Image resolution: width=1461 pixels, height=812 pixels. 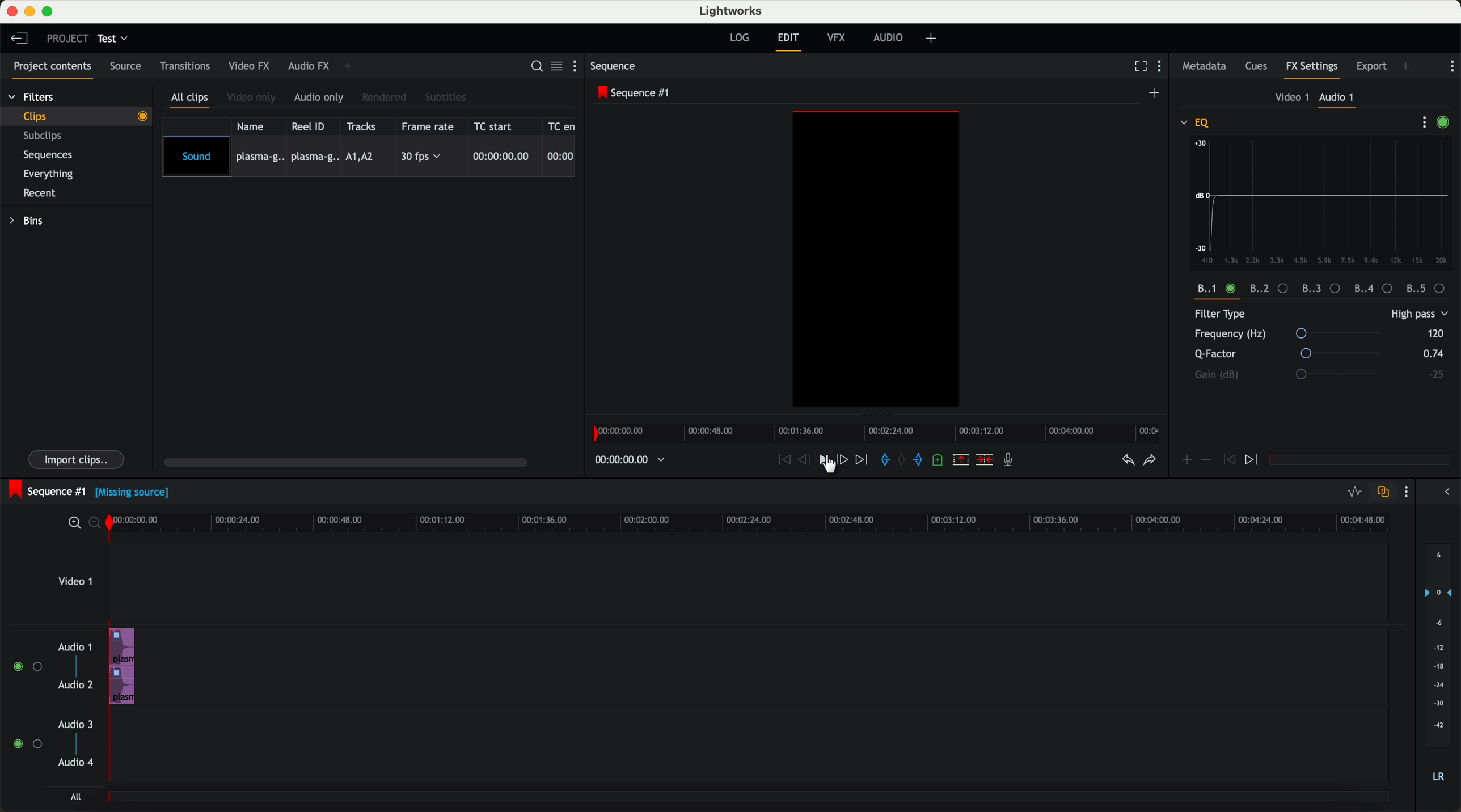 What do you see at coordinates (1126, 463) in the screenshot?
I see `undo` at bounding box center [1126, 463].